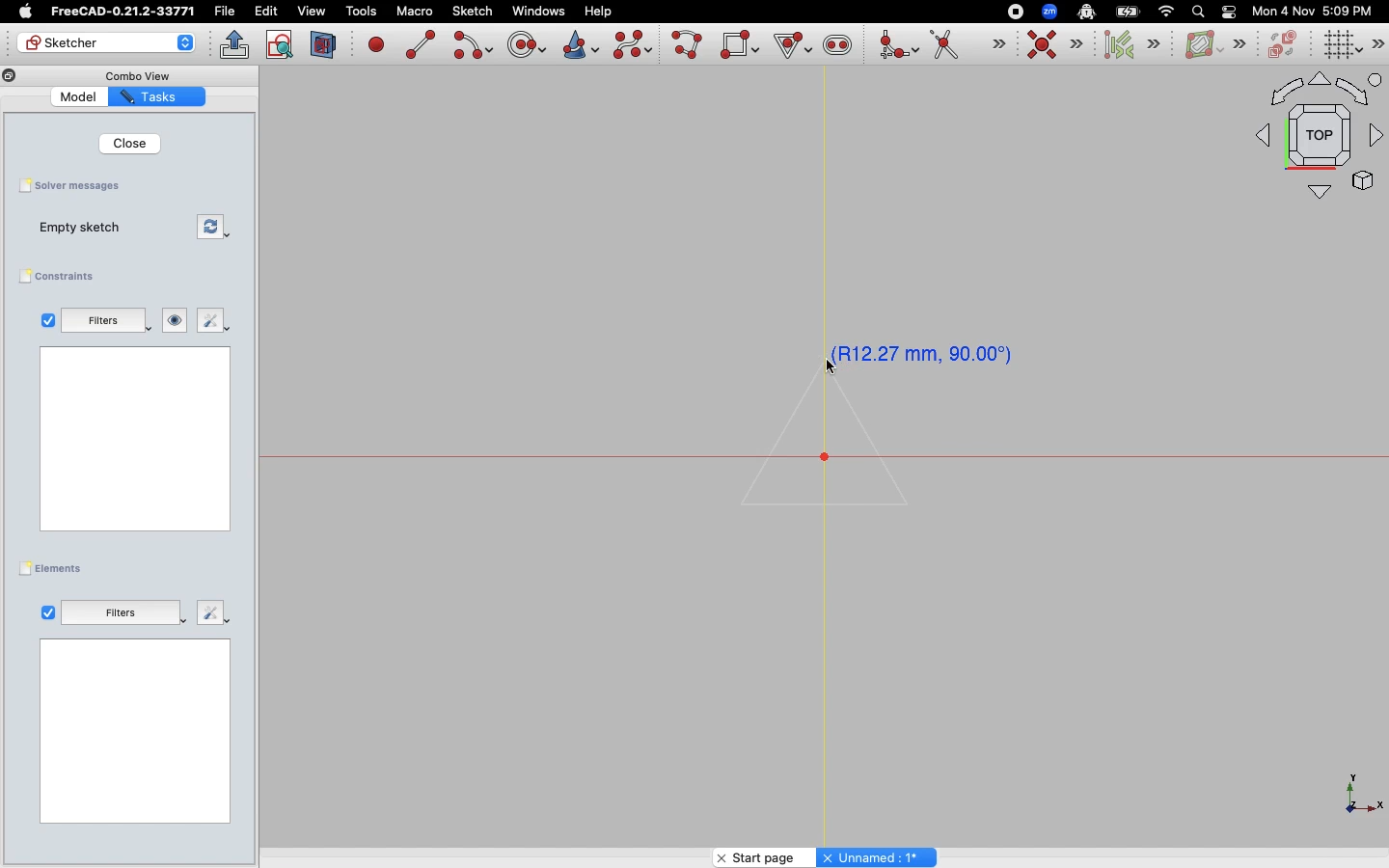 The height and width of the screenshot is (868, 1389). What do you see at coordinates (879, 856) in the screenshot?
I see `Unnamed` at bounding box center [879, 856].